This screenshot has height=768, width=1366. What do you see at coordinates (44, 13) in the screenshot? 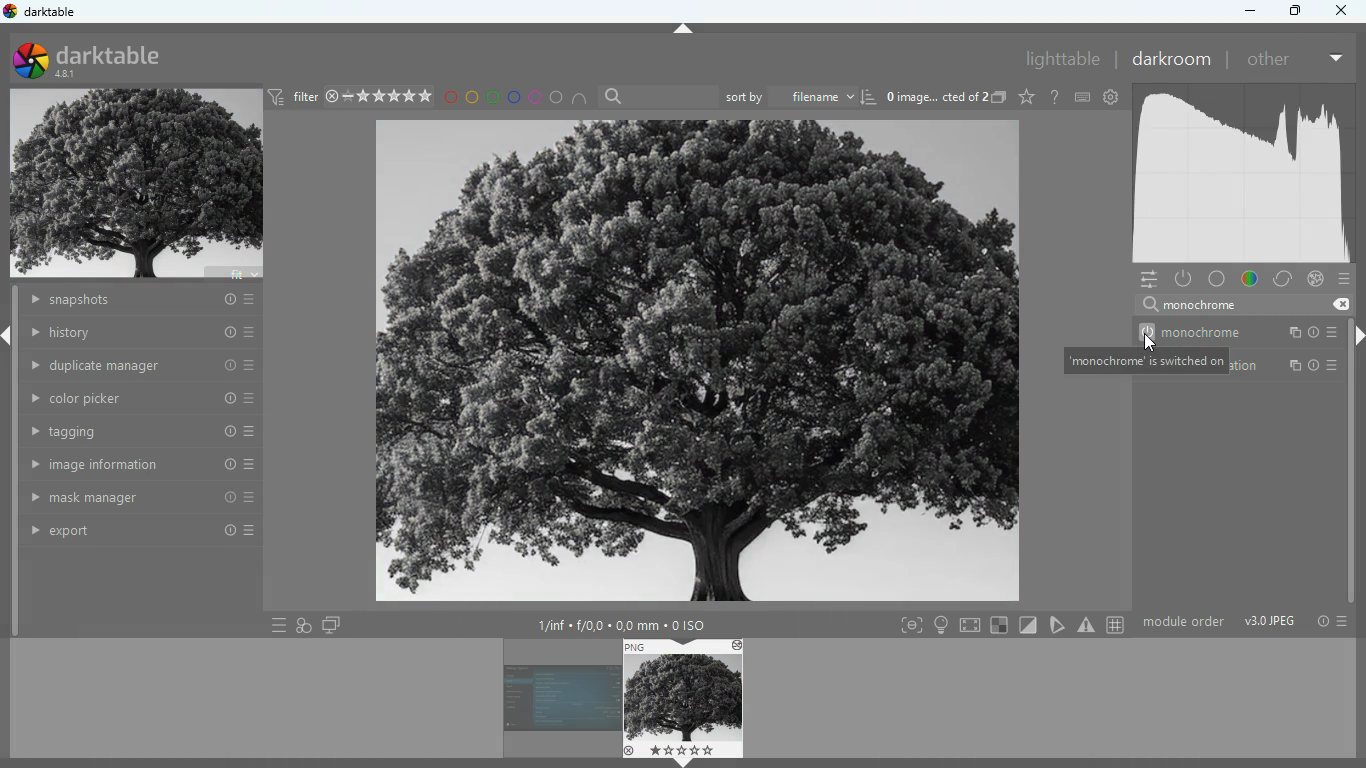
I see `darktable` at bounding box center [44, 13].